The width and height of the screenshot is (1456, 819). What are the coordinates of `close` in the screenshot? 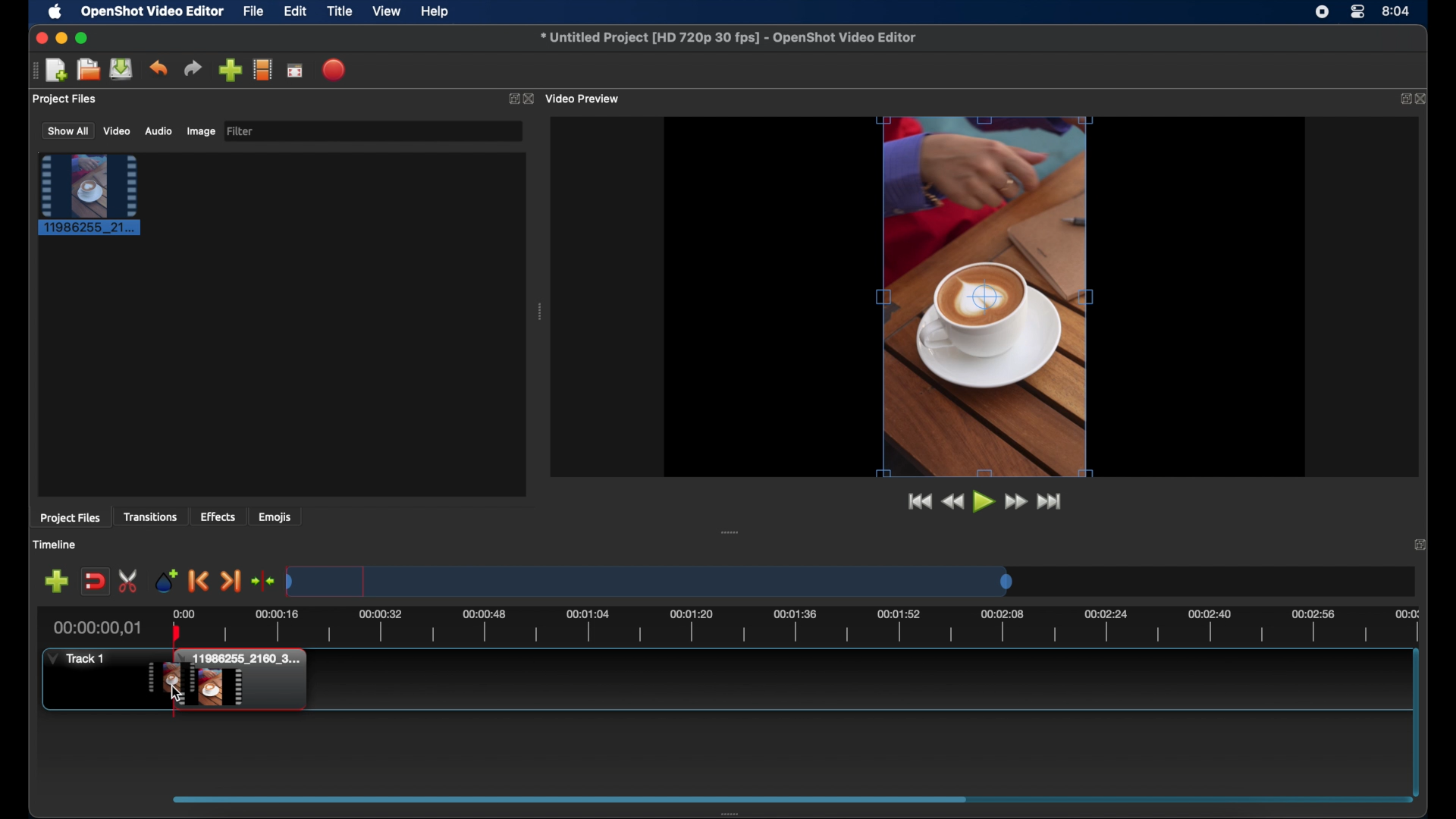 It's located at (1418, 544).